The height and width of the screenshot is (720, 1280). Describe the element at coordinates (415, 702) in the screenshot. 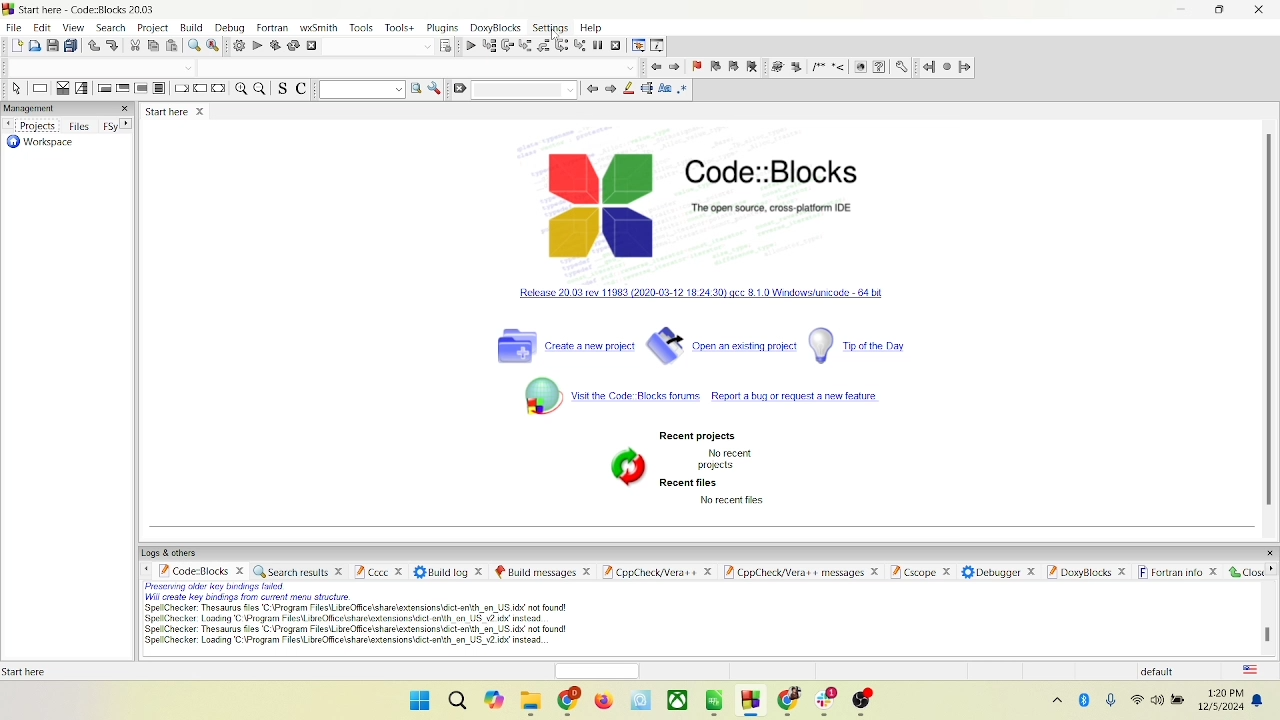

I see `window` at that location.